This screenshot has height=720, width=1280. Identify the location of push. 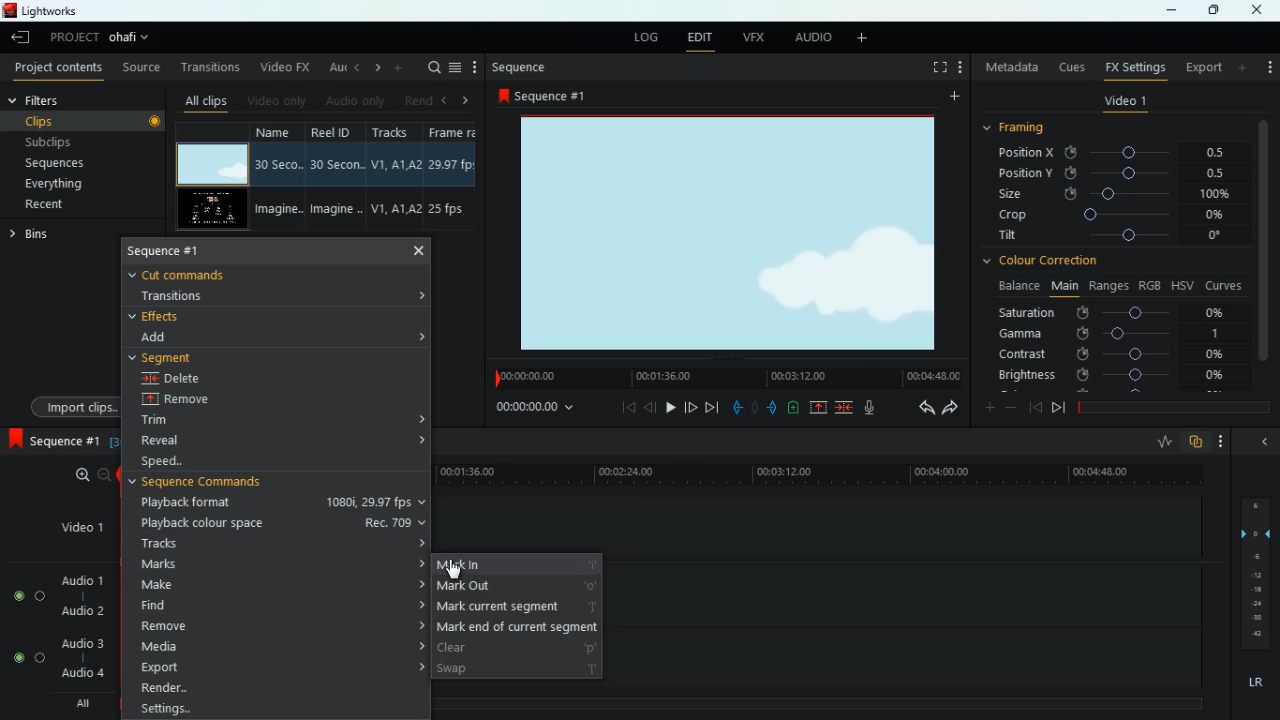
(772, 408).